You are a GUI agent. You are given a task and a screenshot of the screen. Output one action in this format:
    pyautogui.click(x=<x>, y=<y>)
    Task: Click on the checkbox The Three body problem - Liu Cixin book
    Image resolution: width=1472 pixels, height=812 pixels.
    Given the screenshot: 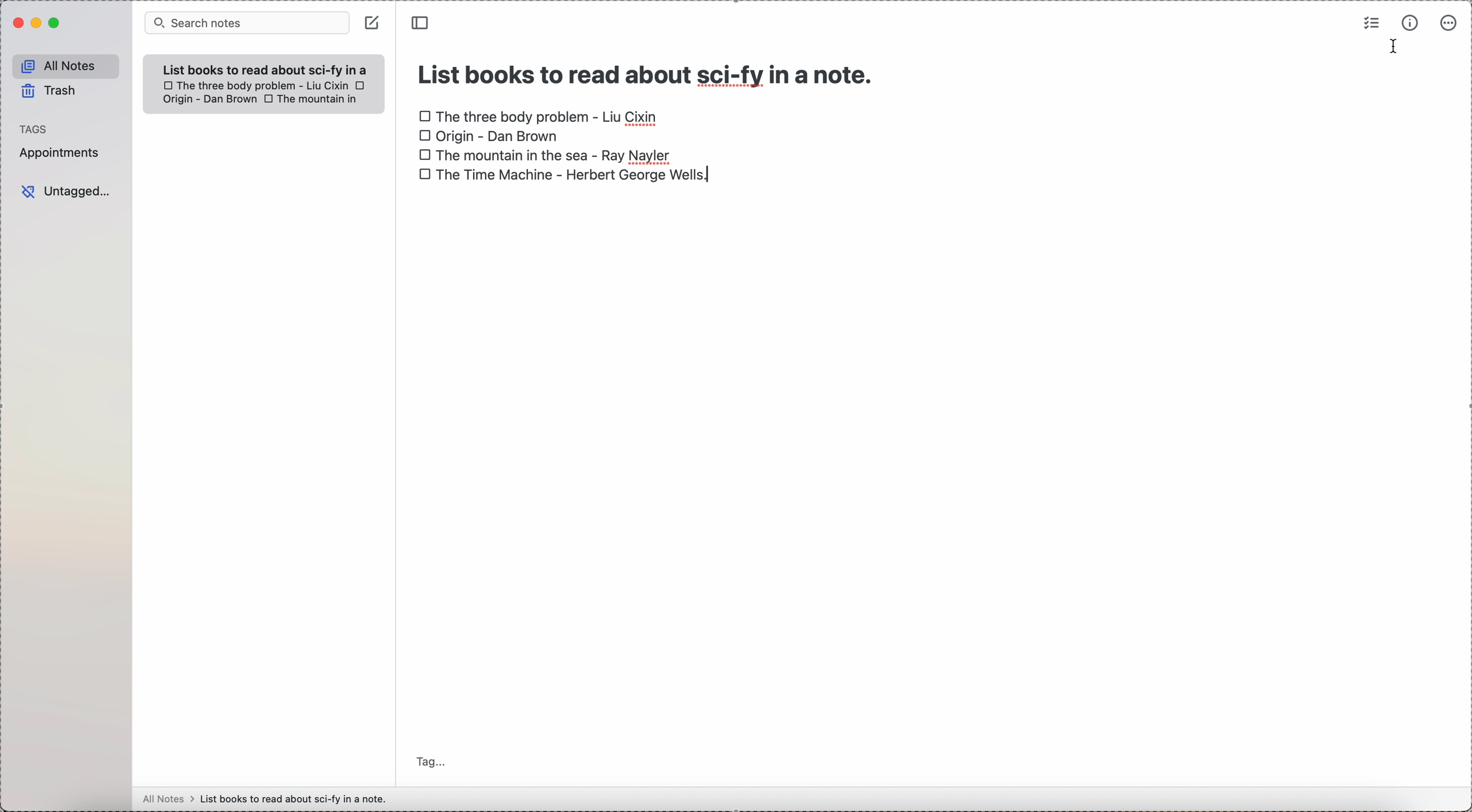 What is the action you would take?
    pyautogui.click(x=254, y=85)
    